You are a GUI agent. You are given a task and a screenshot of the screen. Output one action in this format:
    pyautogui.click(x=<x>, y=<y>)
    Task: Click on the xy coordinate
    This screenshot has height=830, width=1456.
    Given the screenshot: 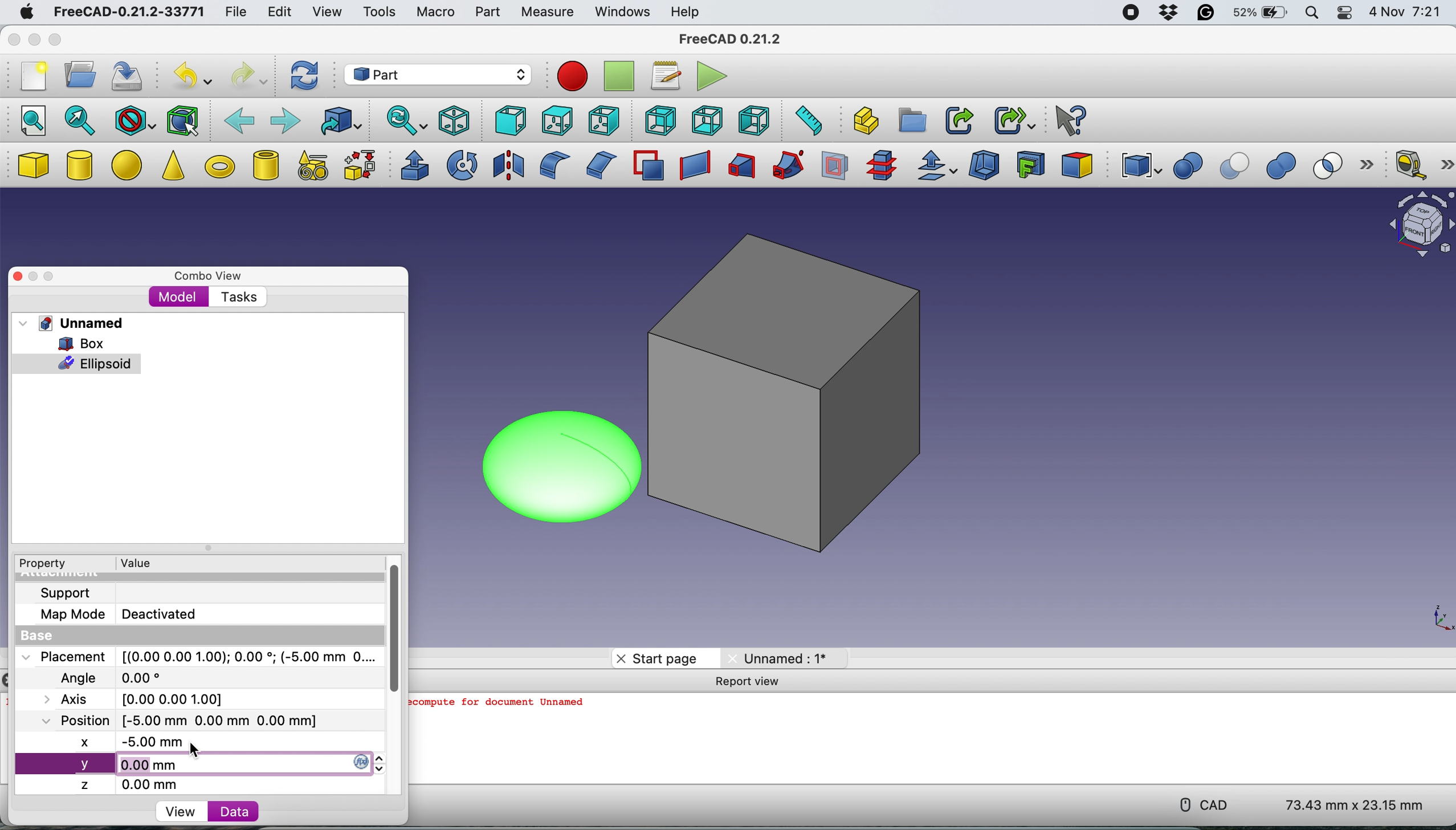 What is the action you would take?
    pyautogui.click(x=1431, y=616)
    